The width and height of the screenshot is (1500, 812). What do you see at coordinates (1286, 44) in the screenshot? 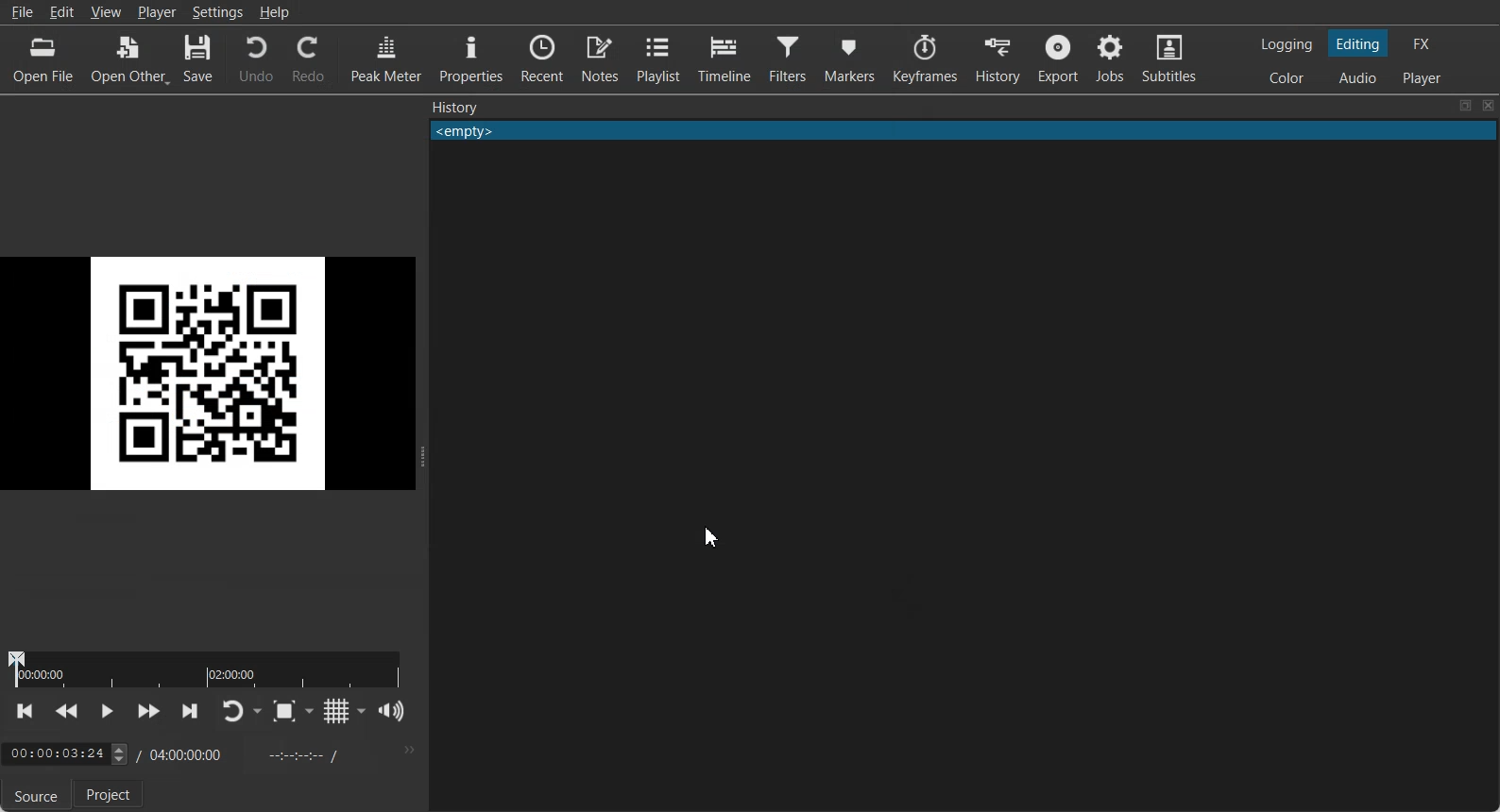
I see `Switching to Logging Layout` at bounding box center [1286, 44].